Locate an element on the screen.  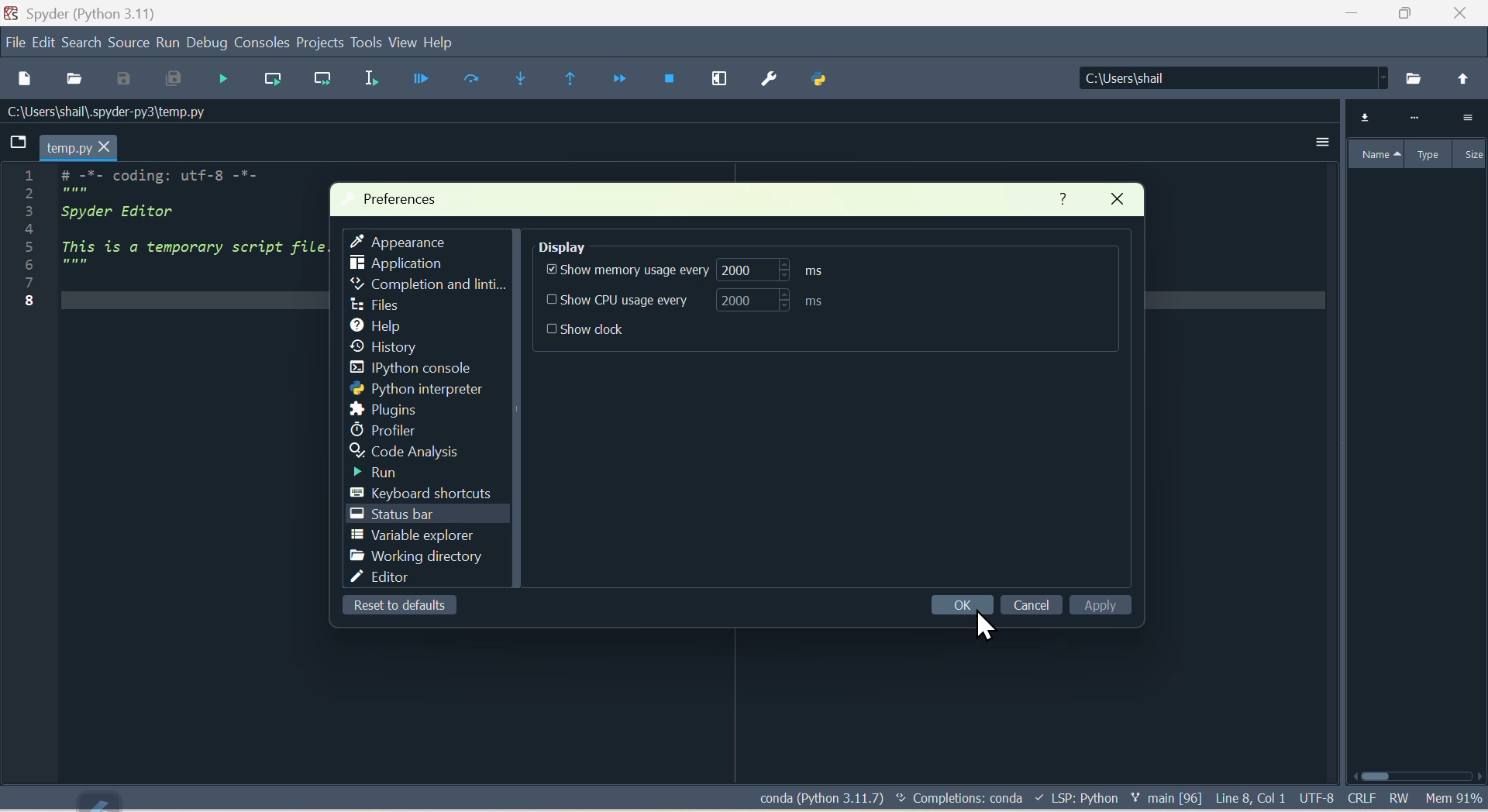
Location of the file - C:\Users\shail\.spyder-py3\temp.py is located at coordinates (129, 112).